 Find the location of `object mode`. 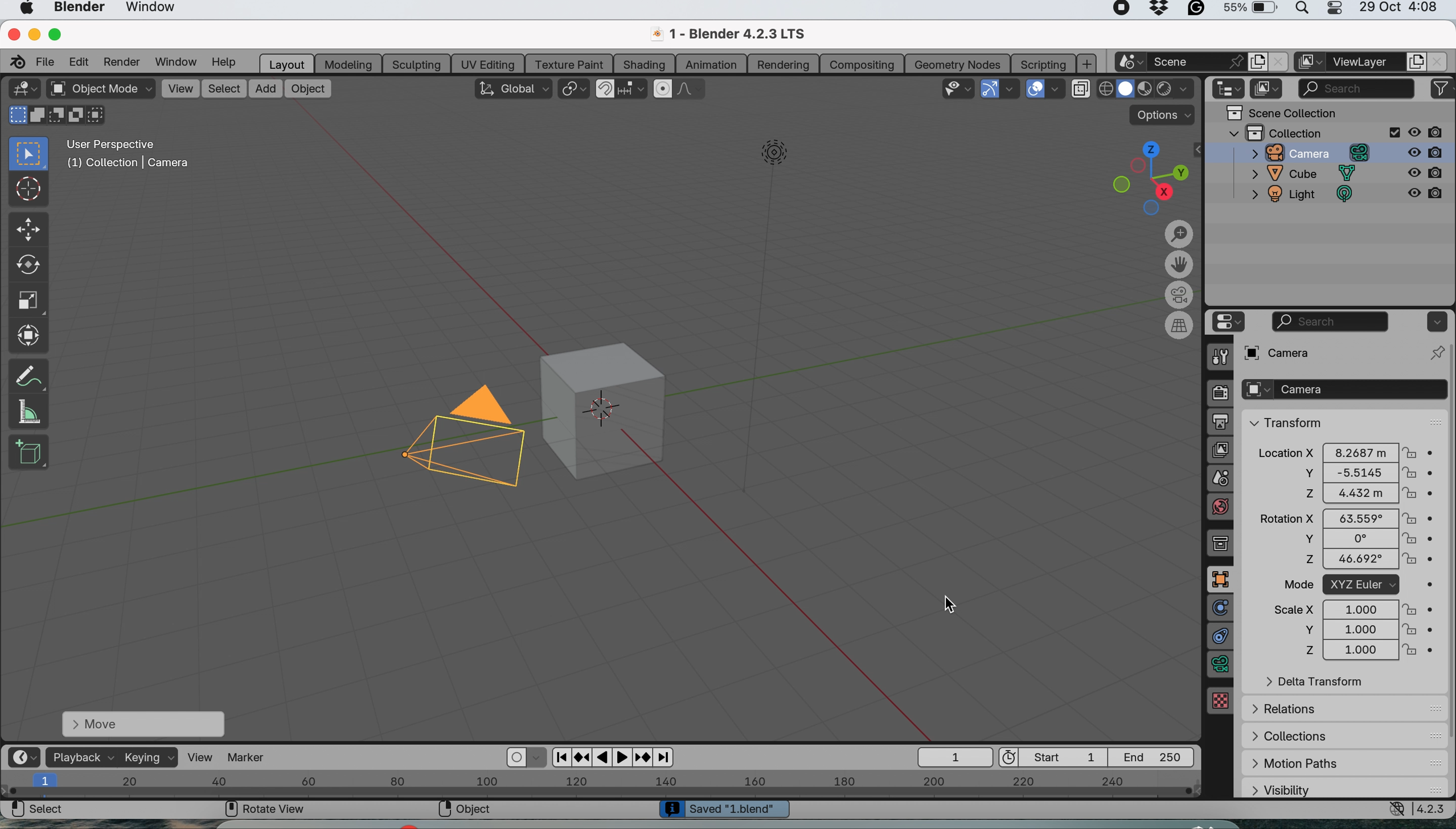

object mode is located at coordinates (100, 89).